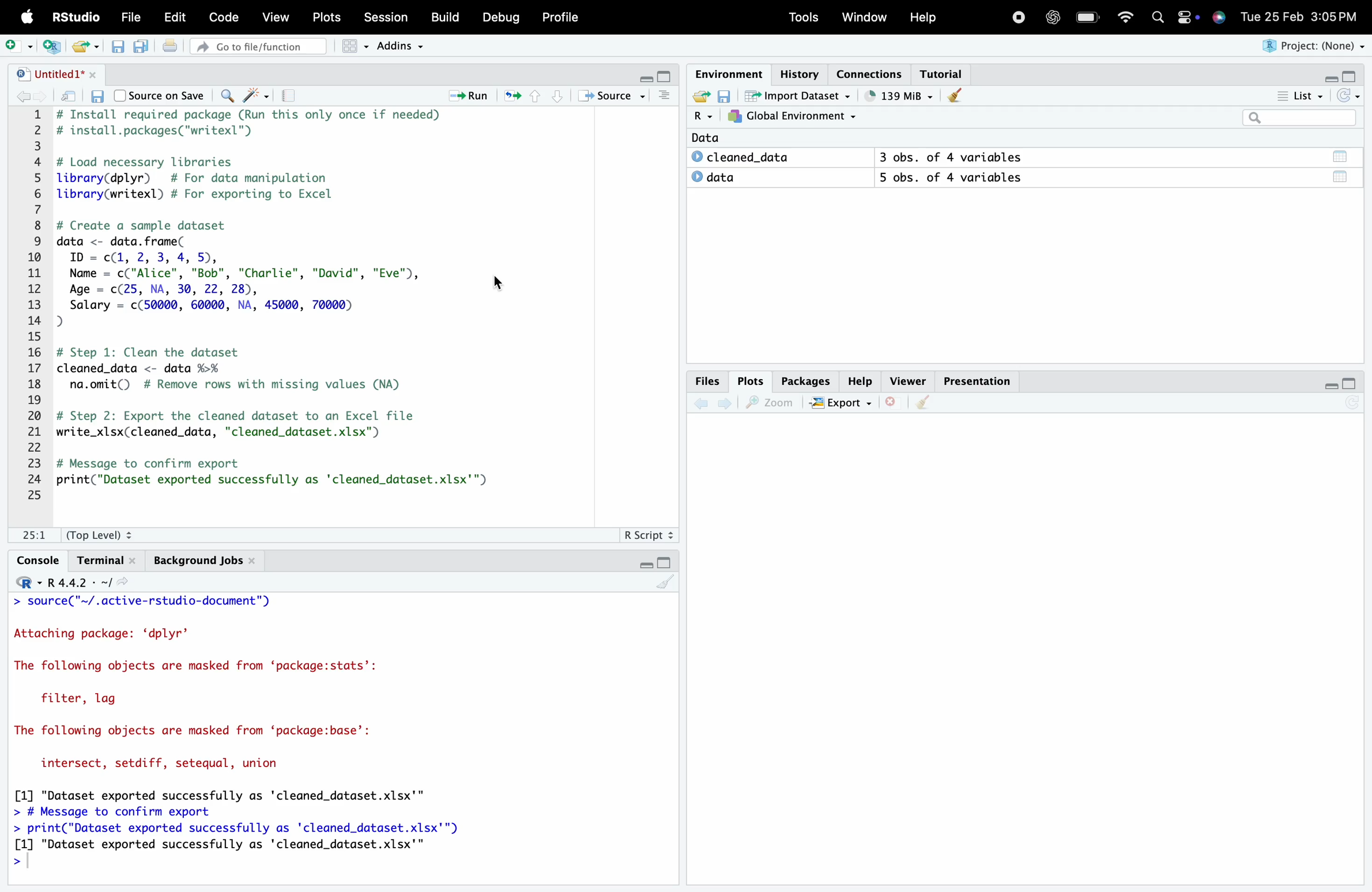 The image size is (1372, 892). Describe the element at coordinates (978, 381) in the screenshot. I see `Presentation` at that location.